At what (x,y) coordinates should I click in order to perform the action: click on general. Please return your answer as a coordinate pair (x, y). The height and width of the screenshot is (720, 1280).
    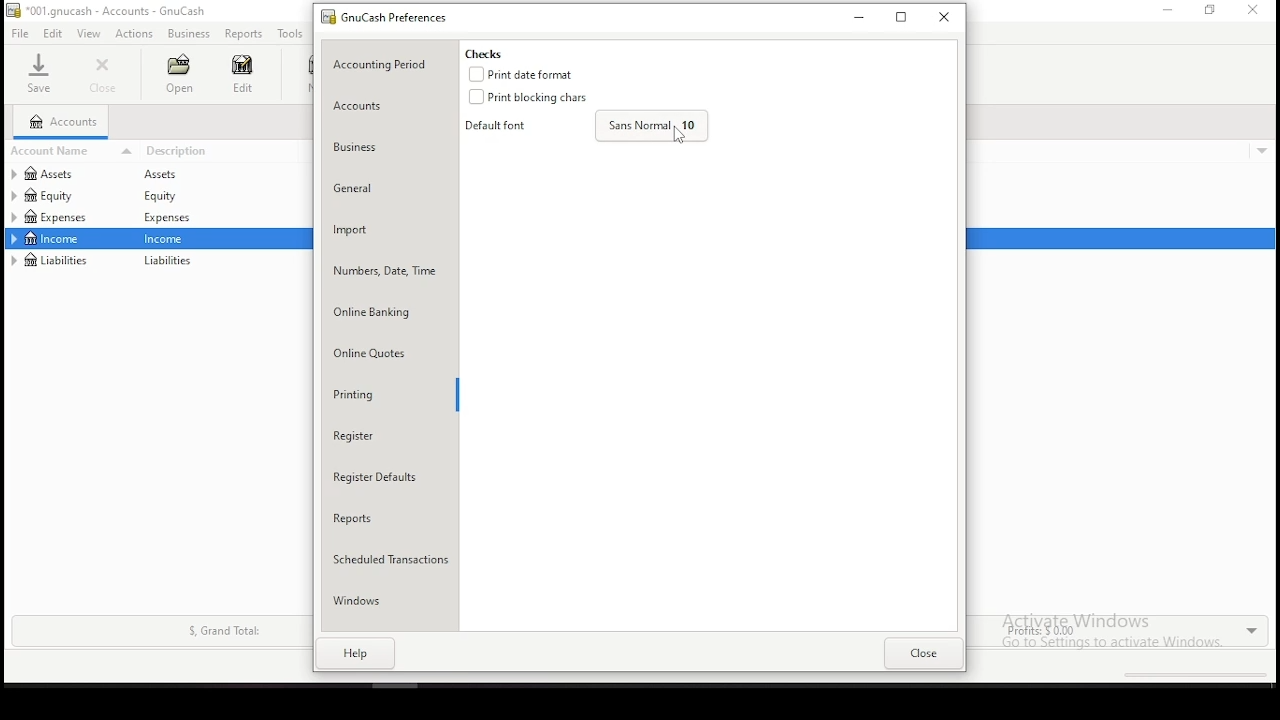
    Looking at the image, I should click on (360, 189).